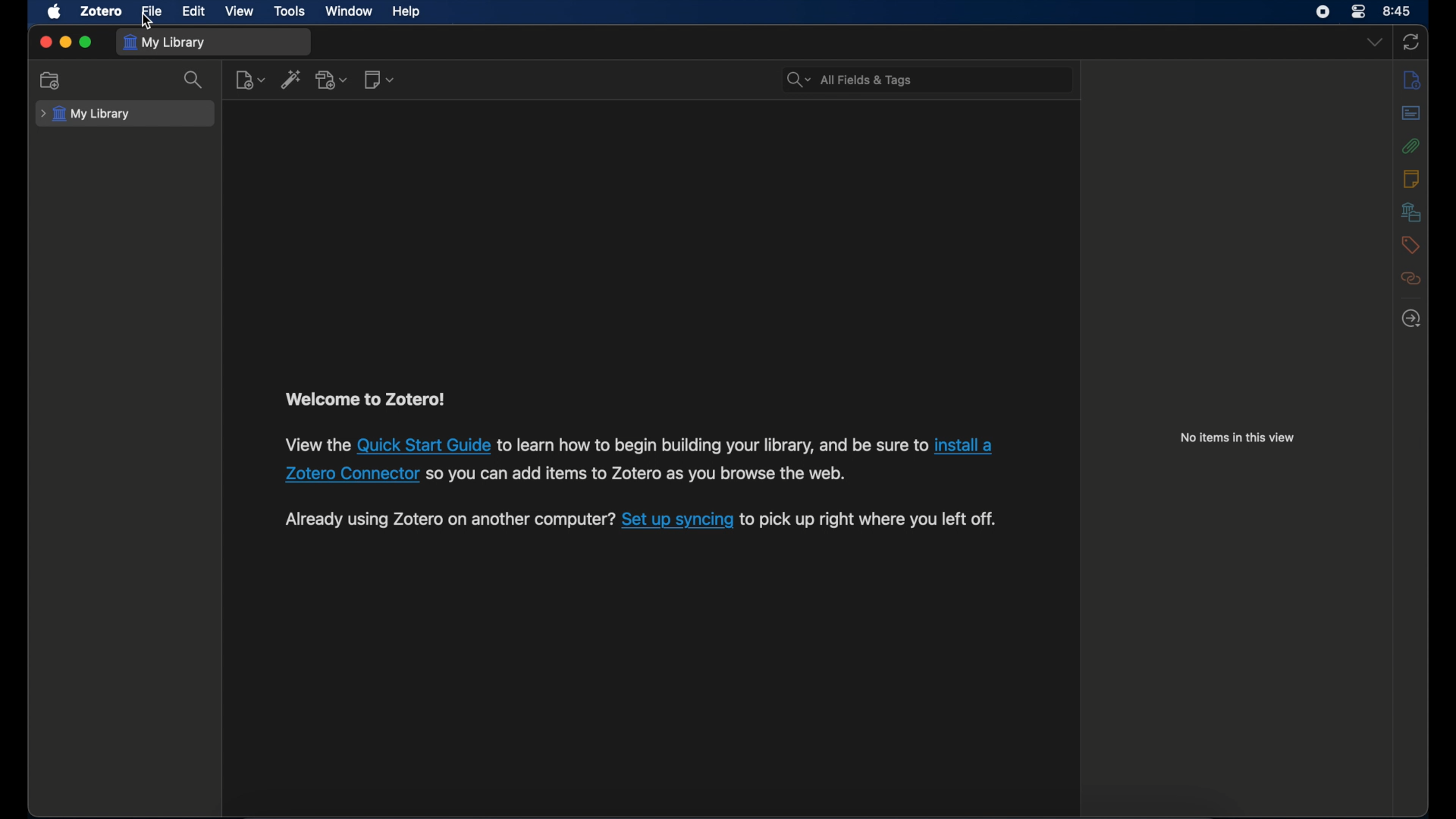  Describe the element at coordinates (196, 81) in the screenshot. I see `search` at that location.